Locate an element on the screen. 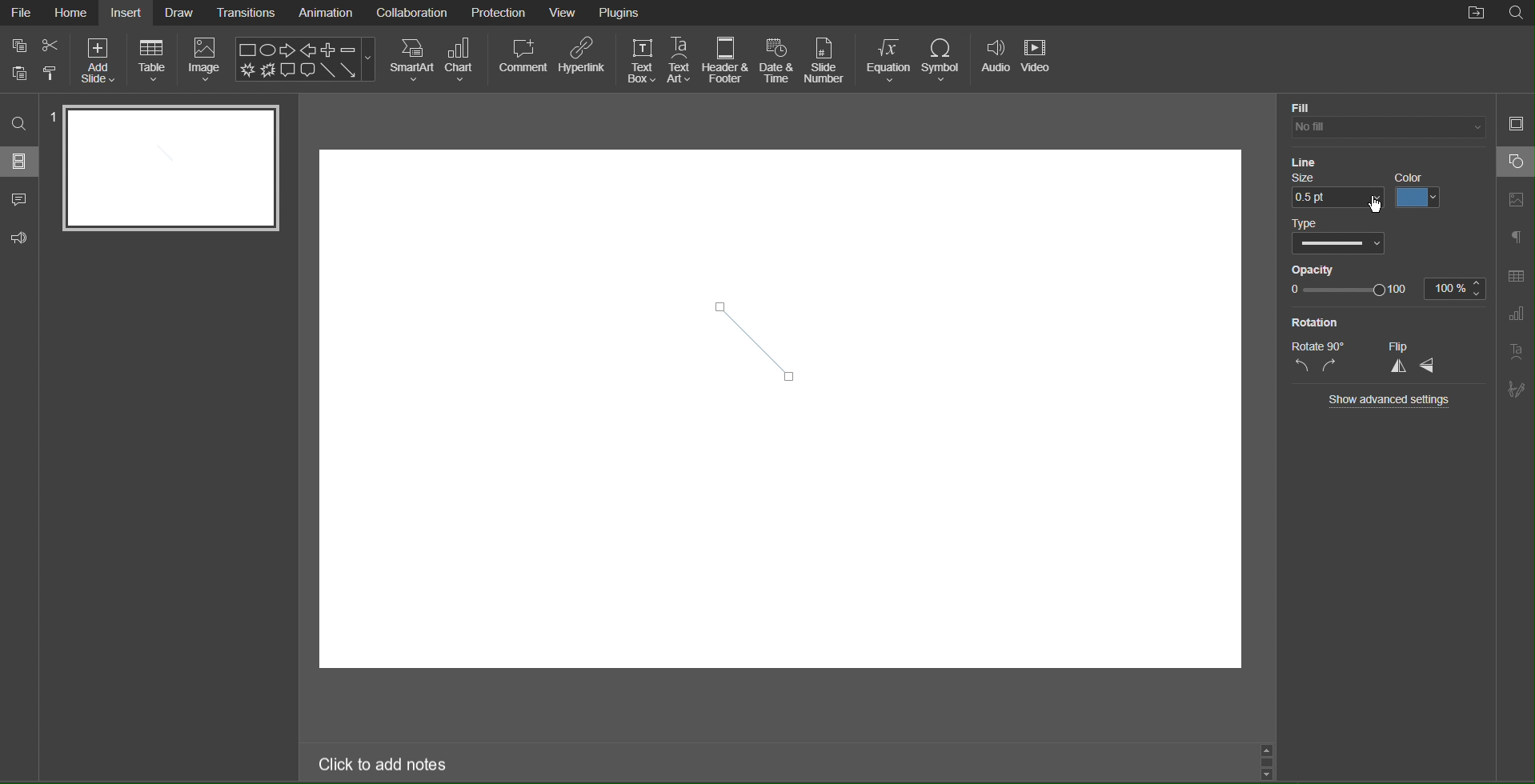 The image size is (1535, 784). Comment is located at coordinates (20, 201).